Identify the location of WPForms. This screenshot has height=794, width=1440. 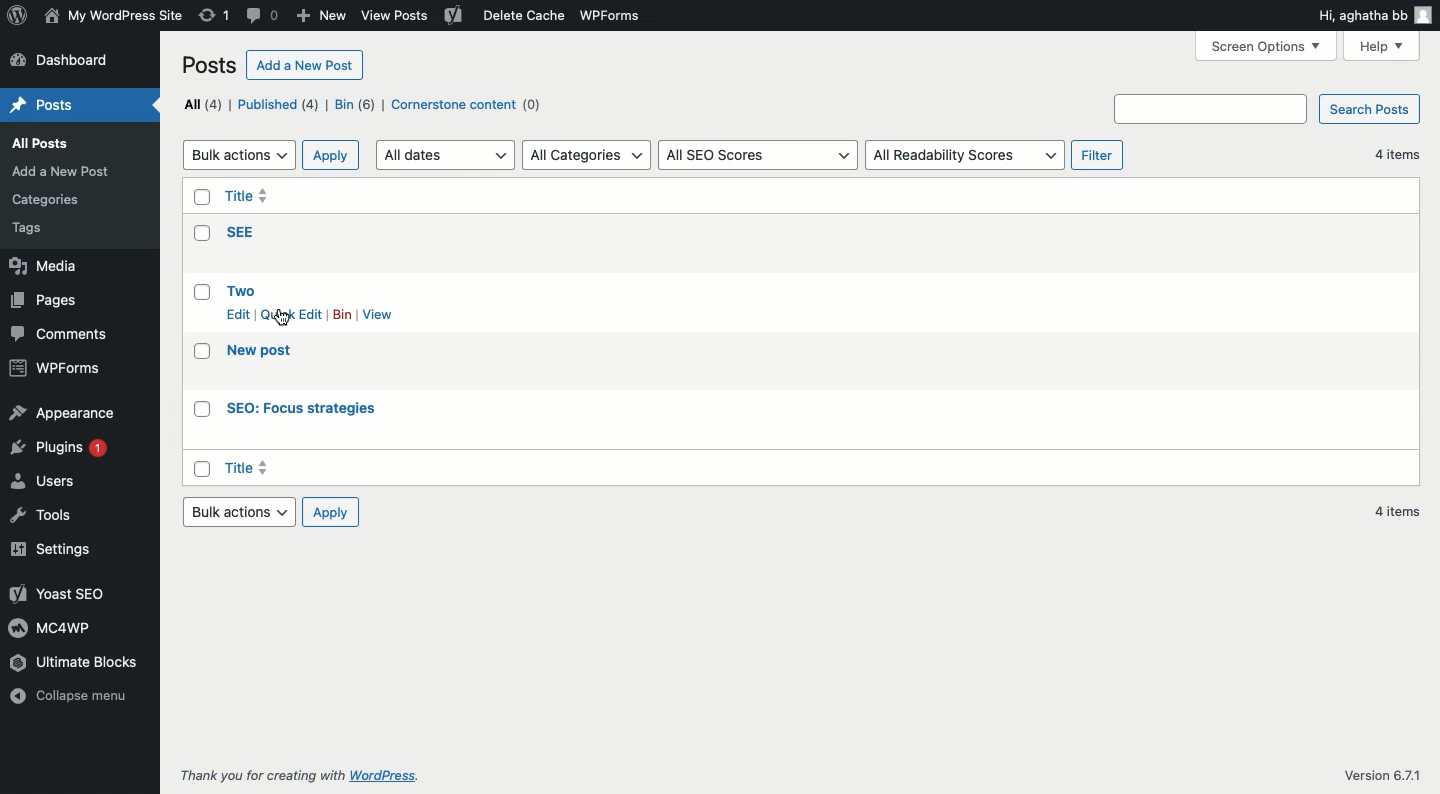
(620, 14).